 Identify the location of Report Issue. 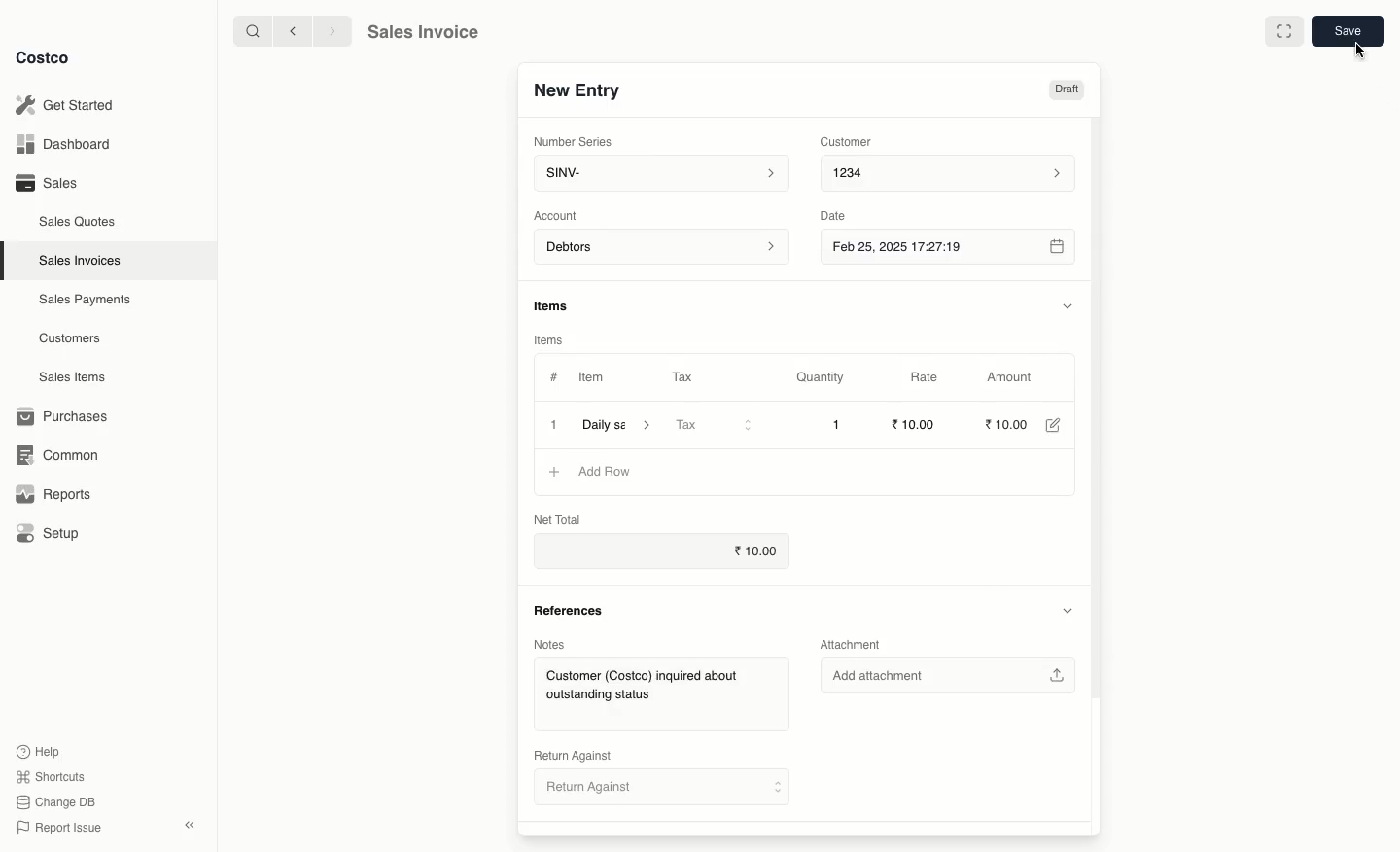
(61, 828).